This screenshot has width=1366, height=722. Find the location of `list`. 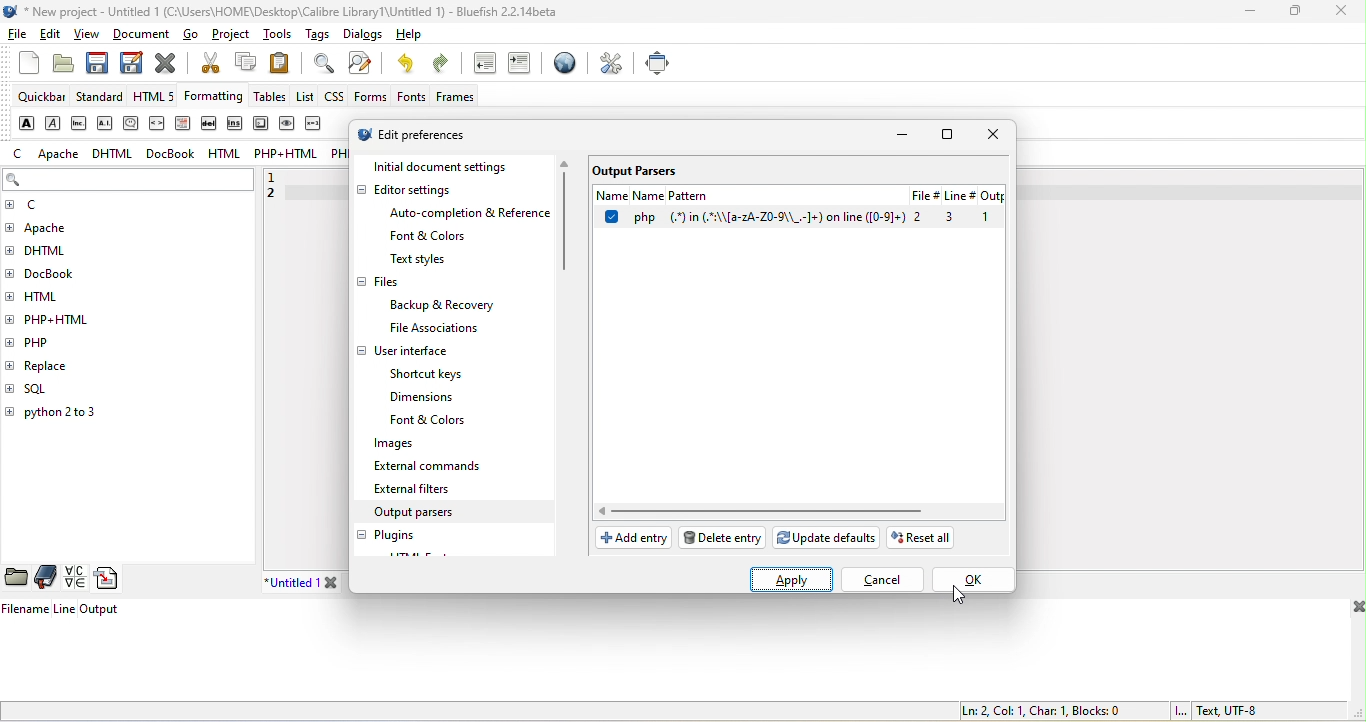

list is located at coordinates (305, 96).